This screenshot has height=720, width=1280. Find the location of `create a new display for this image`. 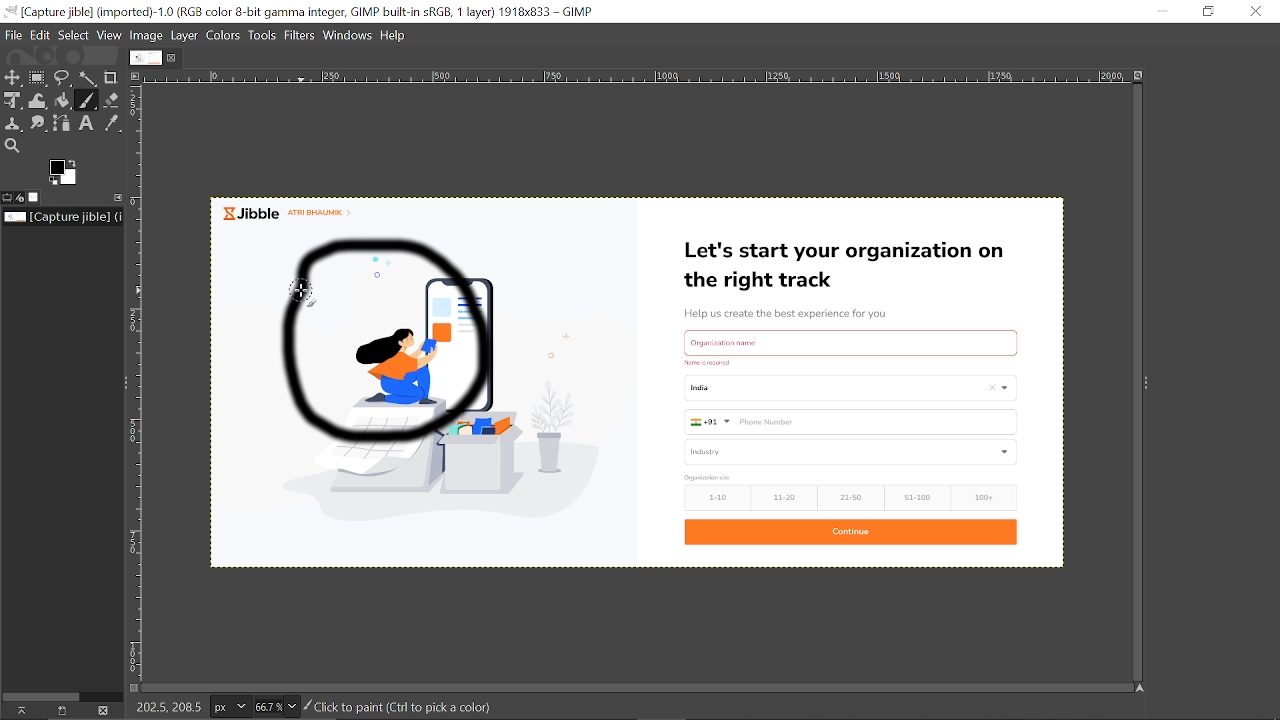

create a new display for this image is located at coordinates (59, 710).